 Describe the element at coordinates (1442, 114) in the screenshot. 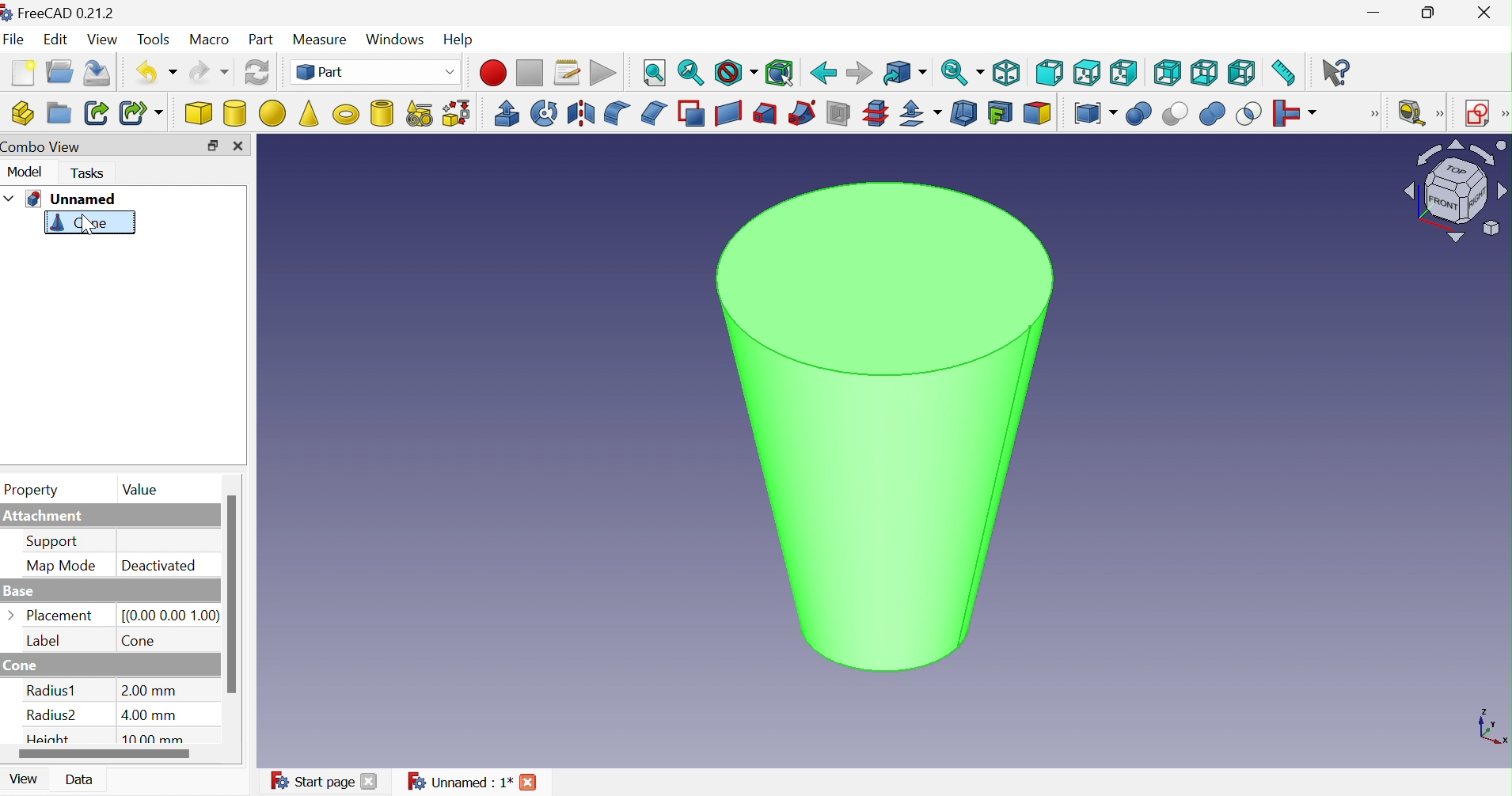

I see `[Measure]` at that location.